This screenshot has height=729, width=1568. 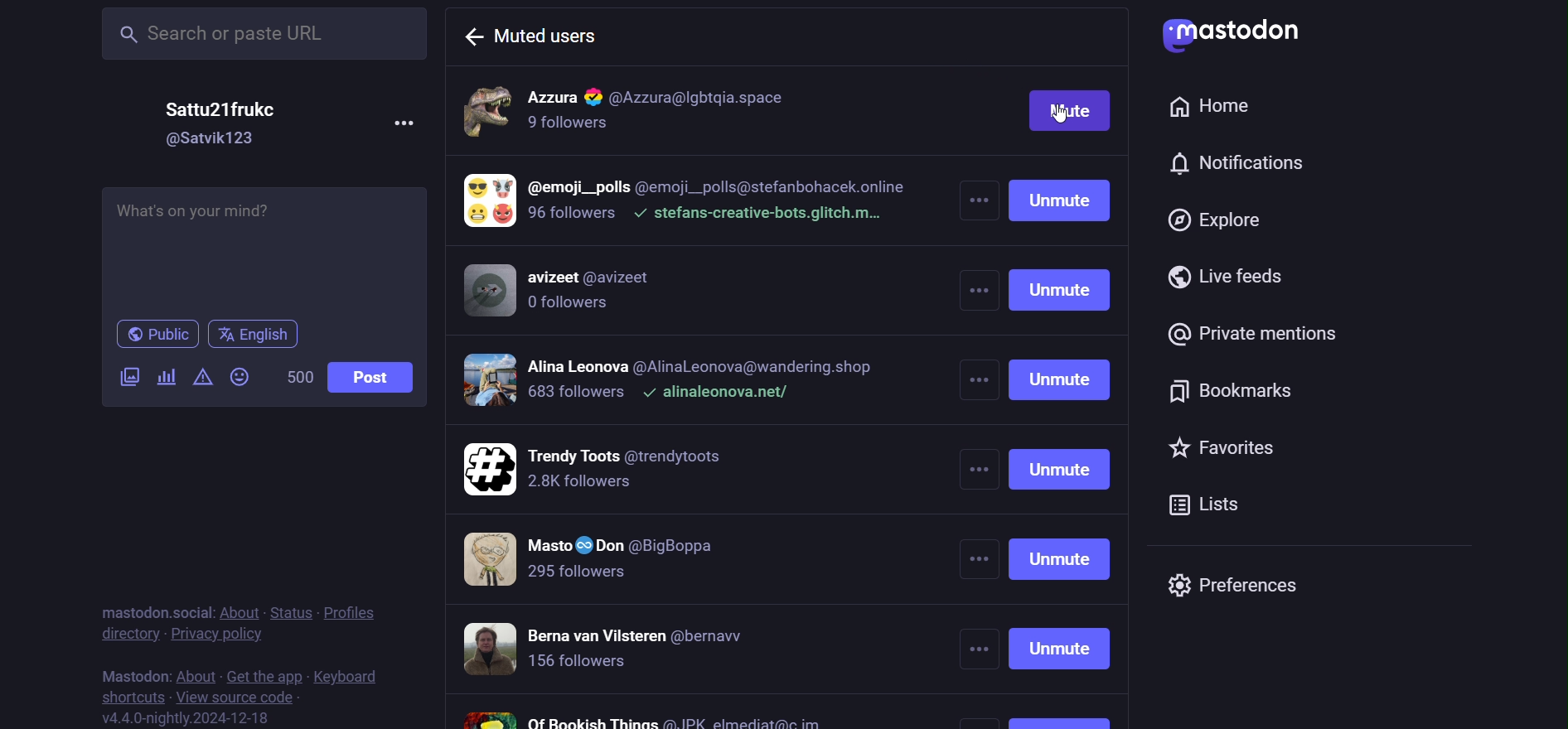 I want to click on live feed, so click(x=1227, y=277).